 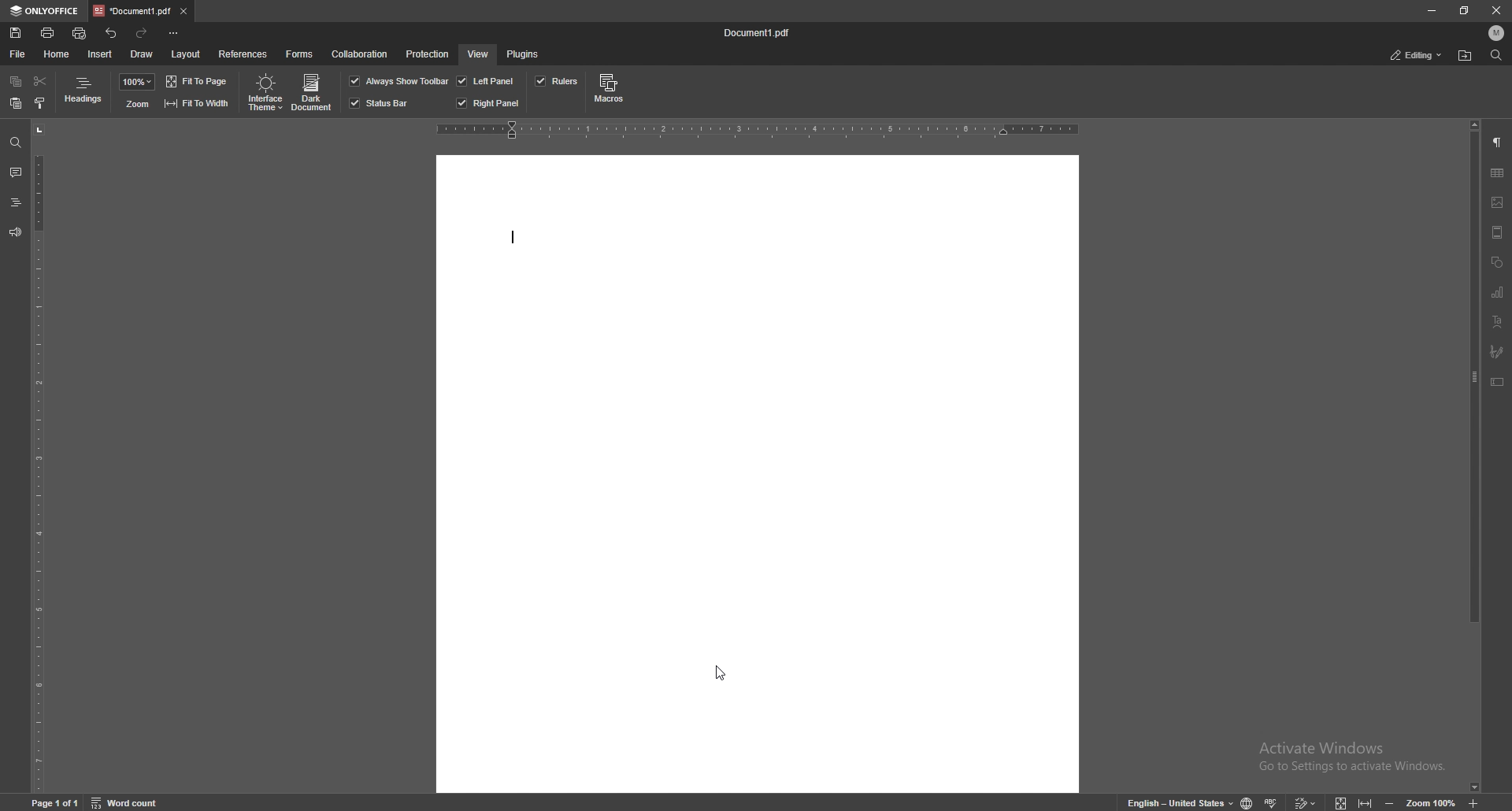 I want to click on status bar, so click(x=380, y=103).